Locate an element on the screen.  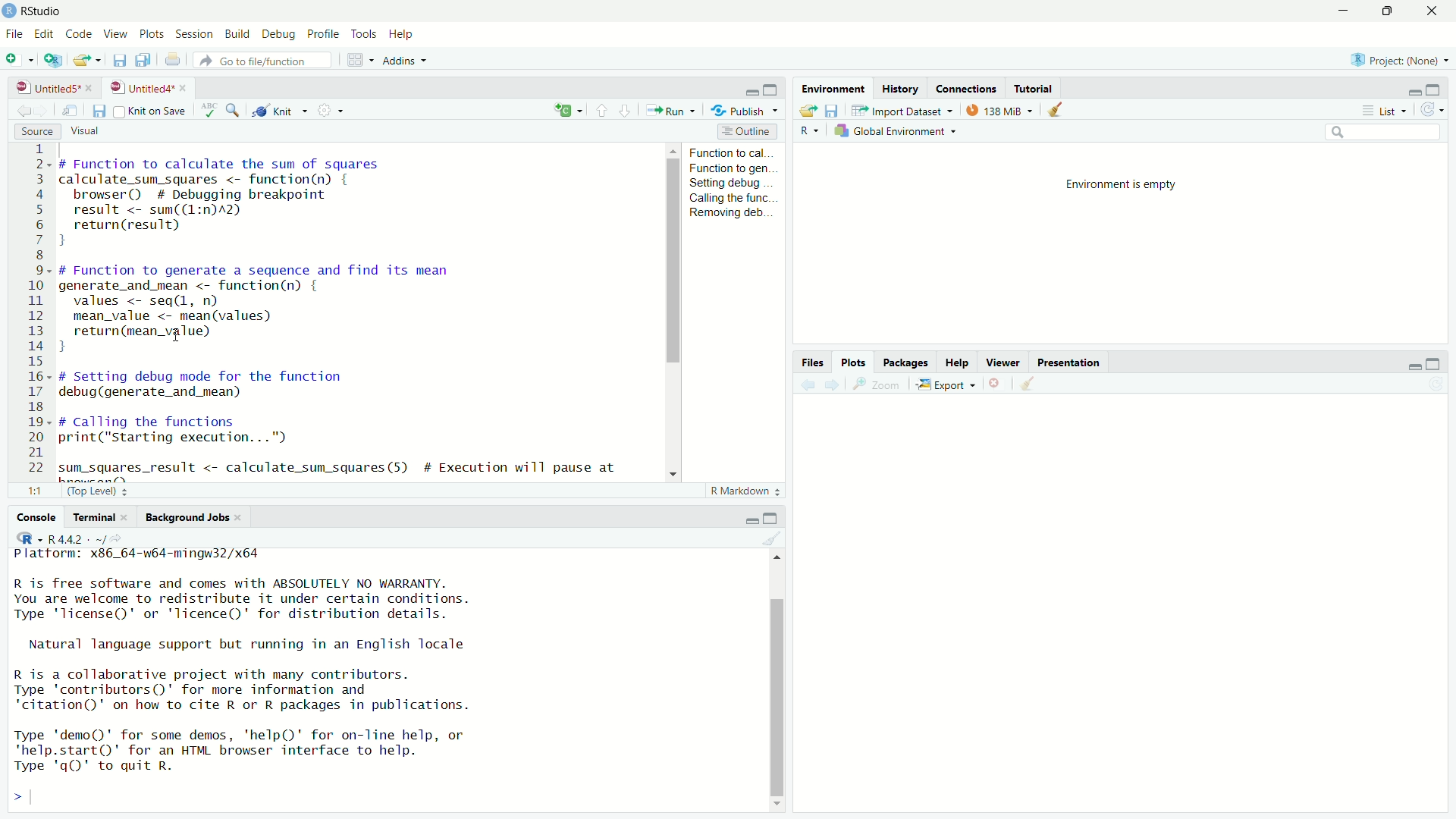
remove the current plot is located at coordinates (996, 385).